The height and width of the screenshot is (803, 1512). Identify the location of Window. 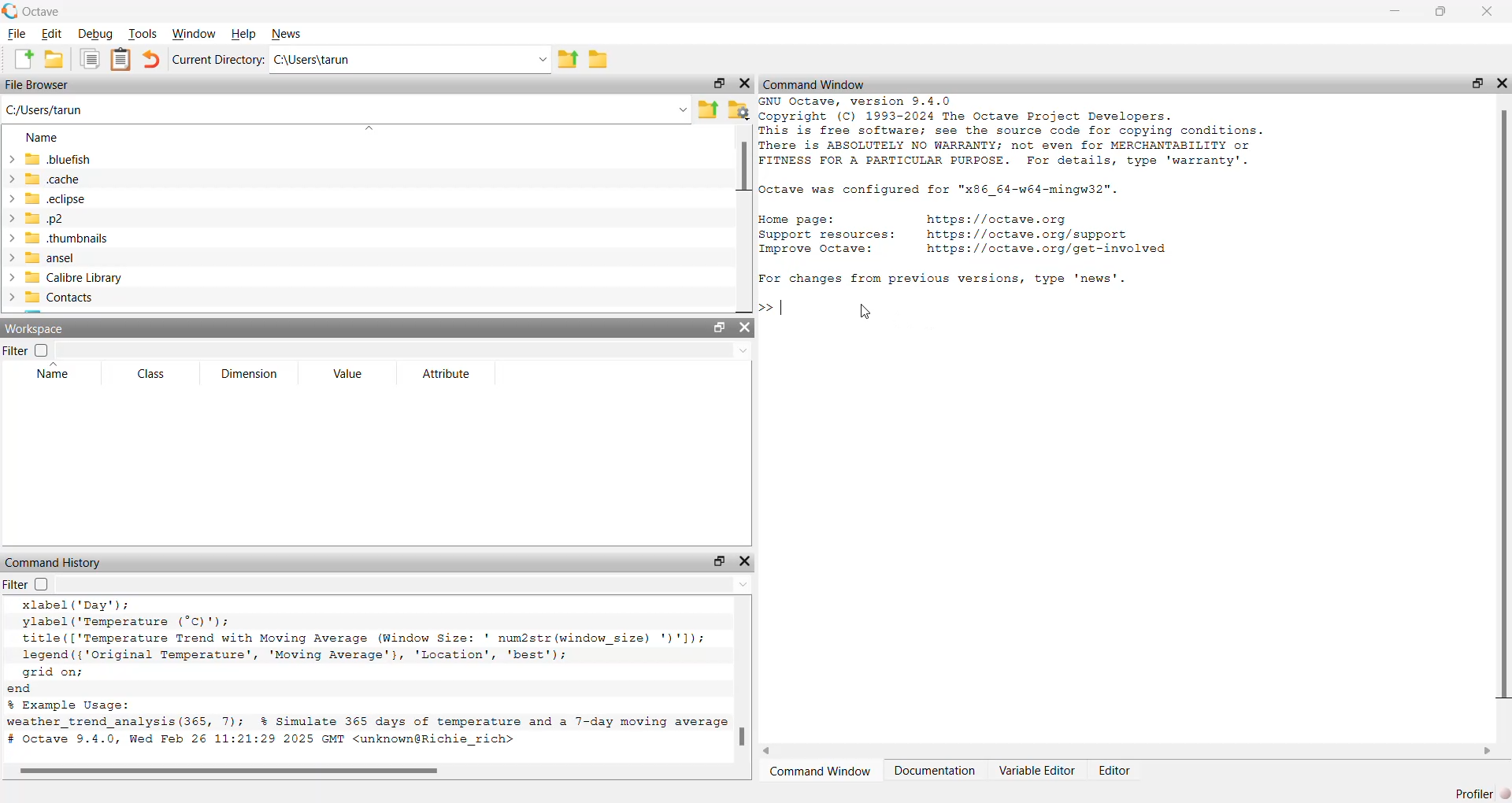
(193, 32).